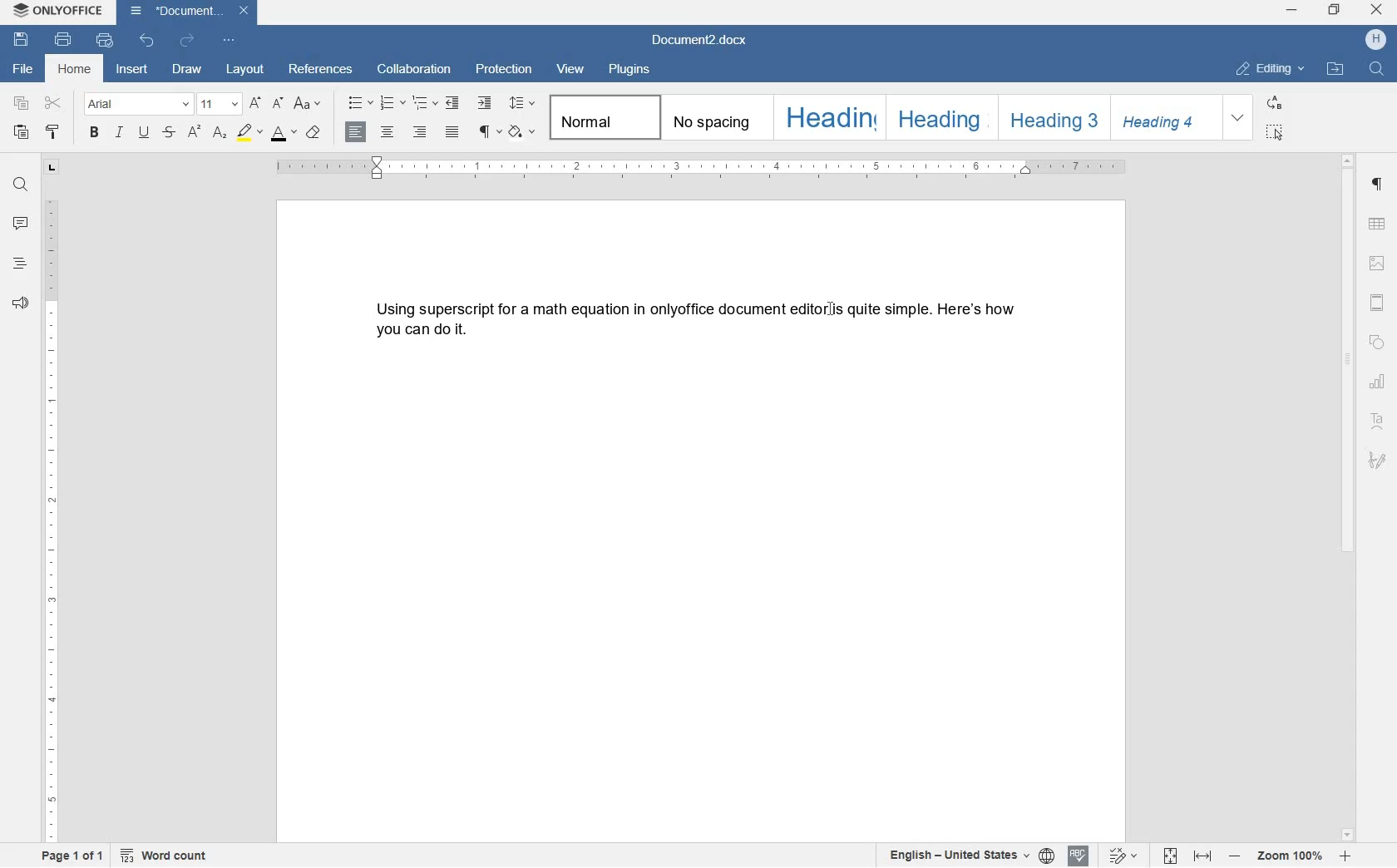 Image resolution: width=1397 pixels, height=868 pixels. Describe the element at coordinates (52, 169) in the screenshot. I see `tab` at that location.